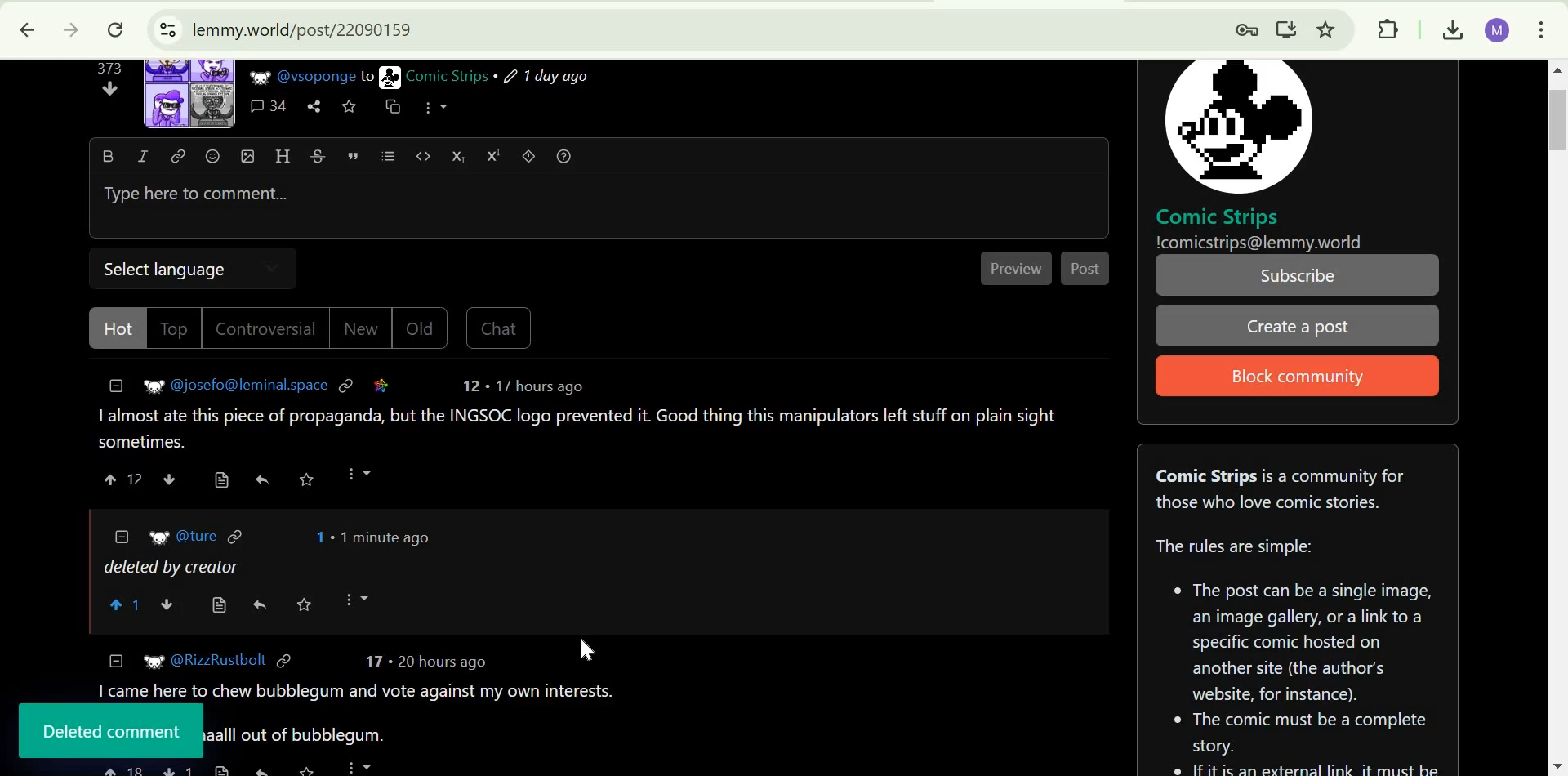  Describe the element at coordinates (305, 604) in the screenshot. I see `Save` at that location.